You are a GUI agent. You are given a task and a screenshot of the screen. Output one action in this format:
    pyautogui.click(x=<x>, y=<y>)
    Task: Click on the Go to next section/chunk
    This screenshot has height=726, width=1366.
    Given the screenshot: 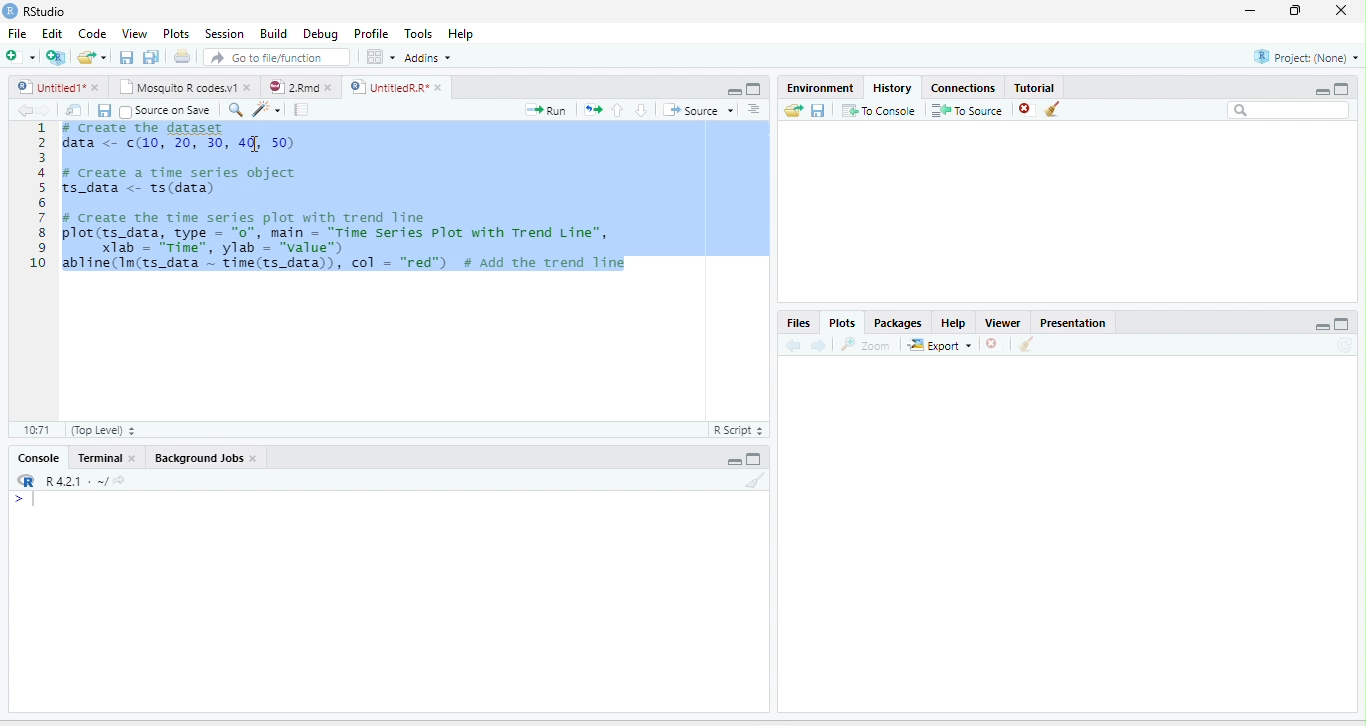 What is the action you would take?
    pyautogui.click(x=641, y=110)
    